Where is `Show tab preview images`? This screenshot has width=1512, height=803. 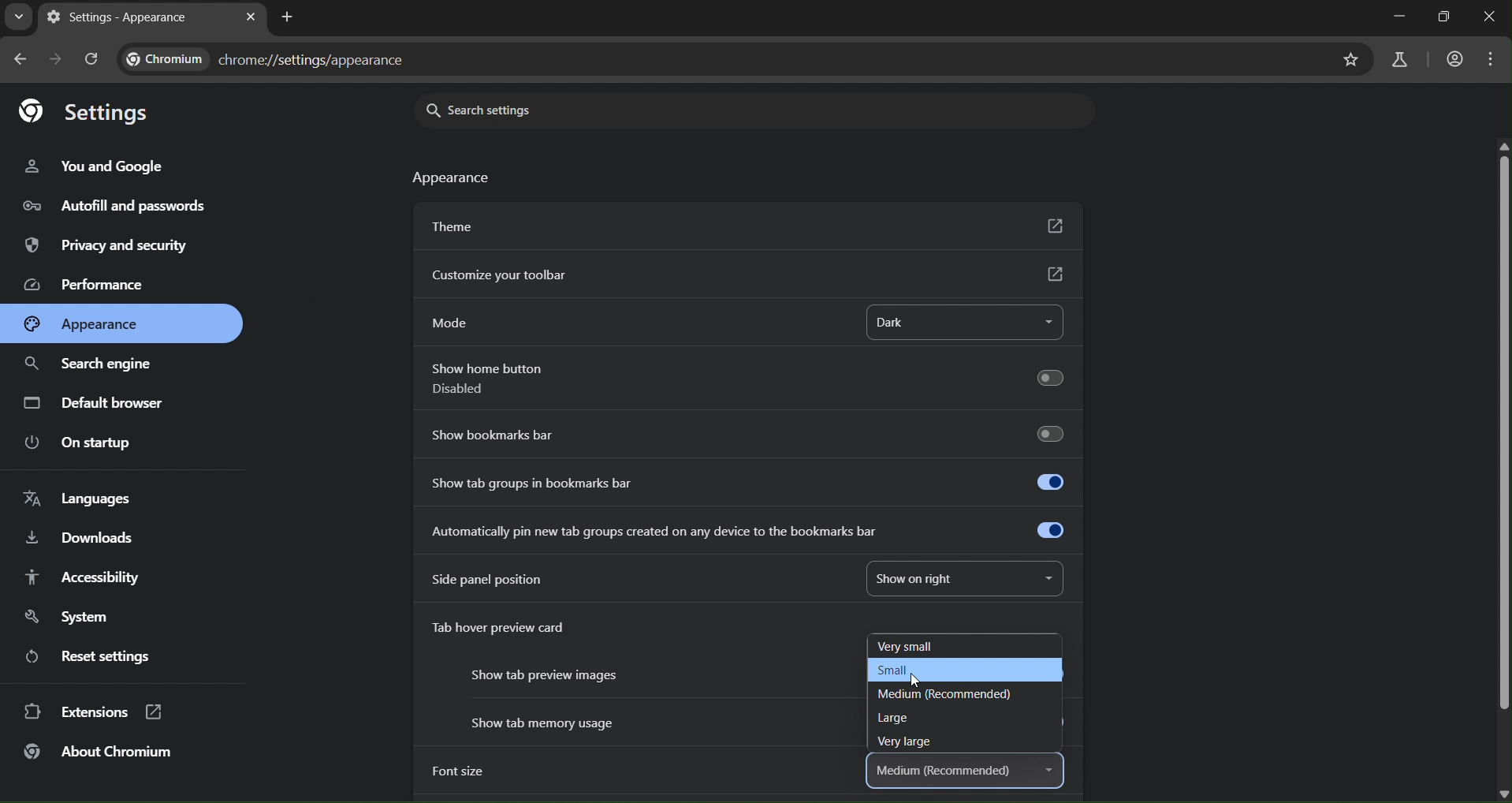
Show tab preview images is located at coordinates (546, 675).